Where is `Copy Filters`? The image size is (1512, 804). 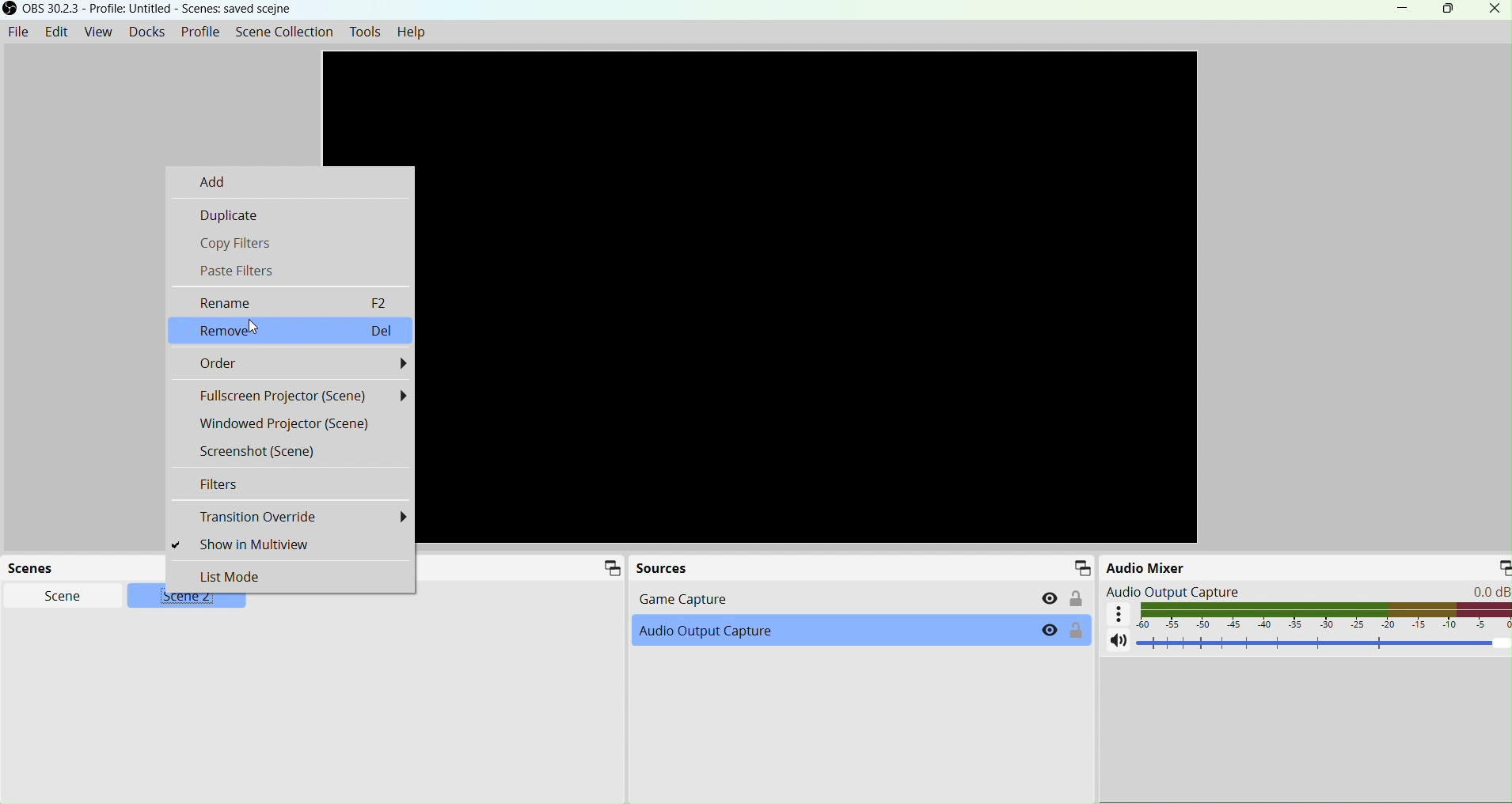
Copy Filters is located at coordinates (291, 242).